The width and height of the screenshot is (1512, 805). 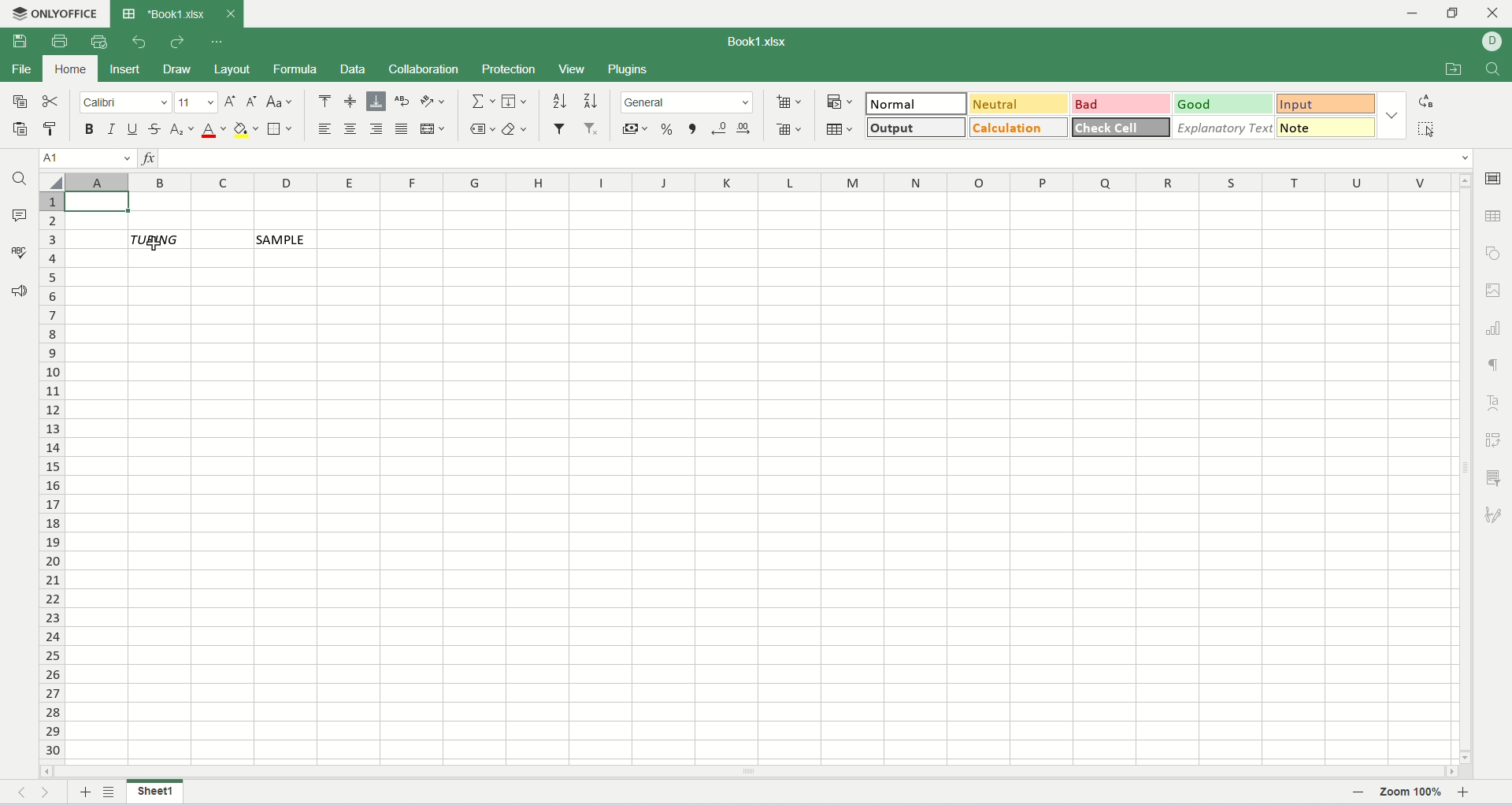 What do you see at coordinates (126, 102) in the screenshot?
I see `font name` at bounding box center [126, 102].